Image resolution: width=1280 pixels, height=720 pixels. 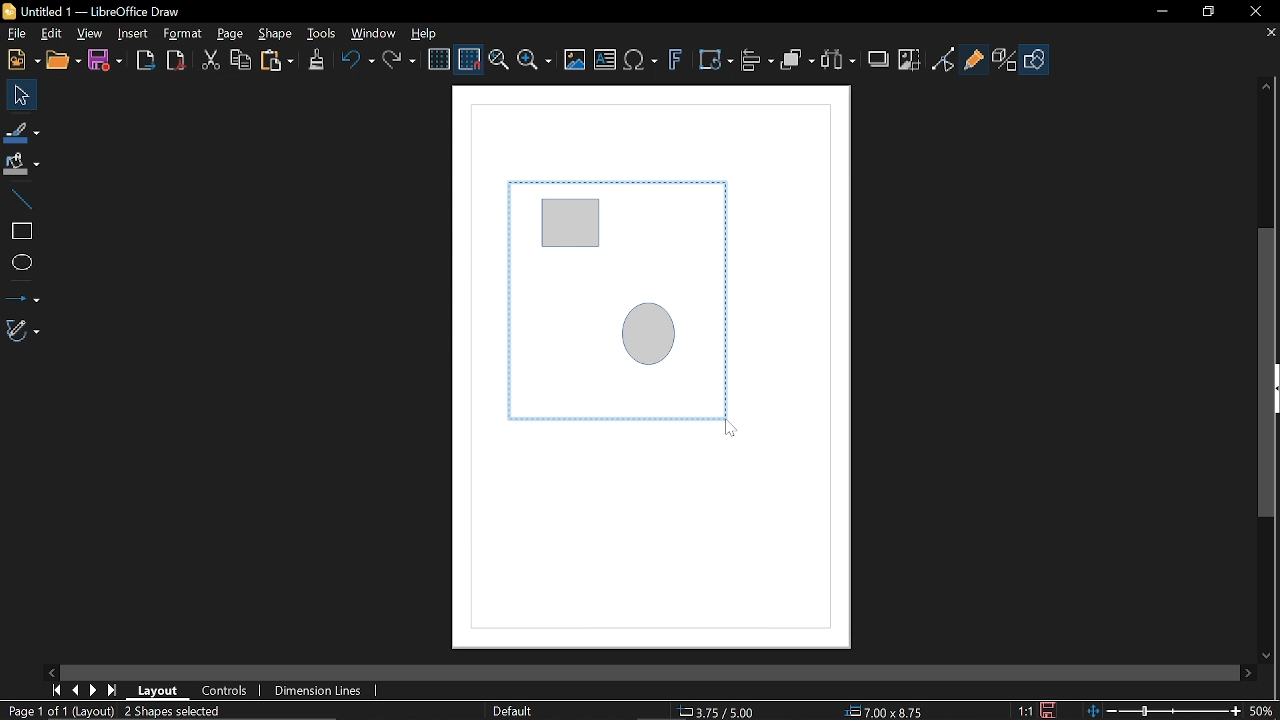 I want to click on Display grid, so click(x=439, y=59).